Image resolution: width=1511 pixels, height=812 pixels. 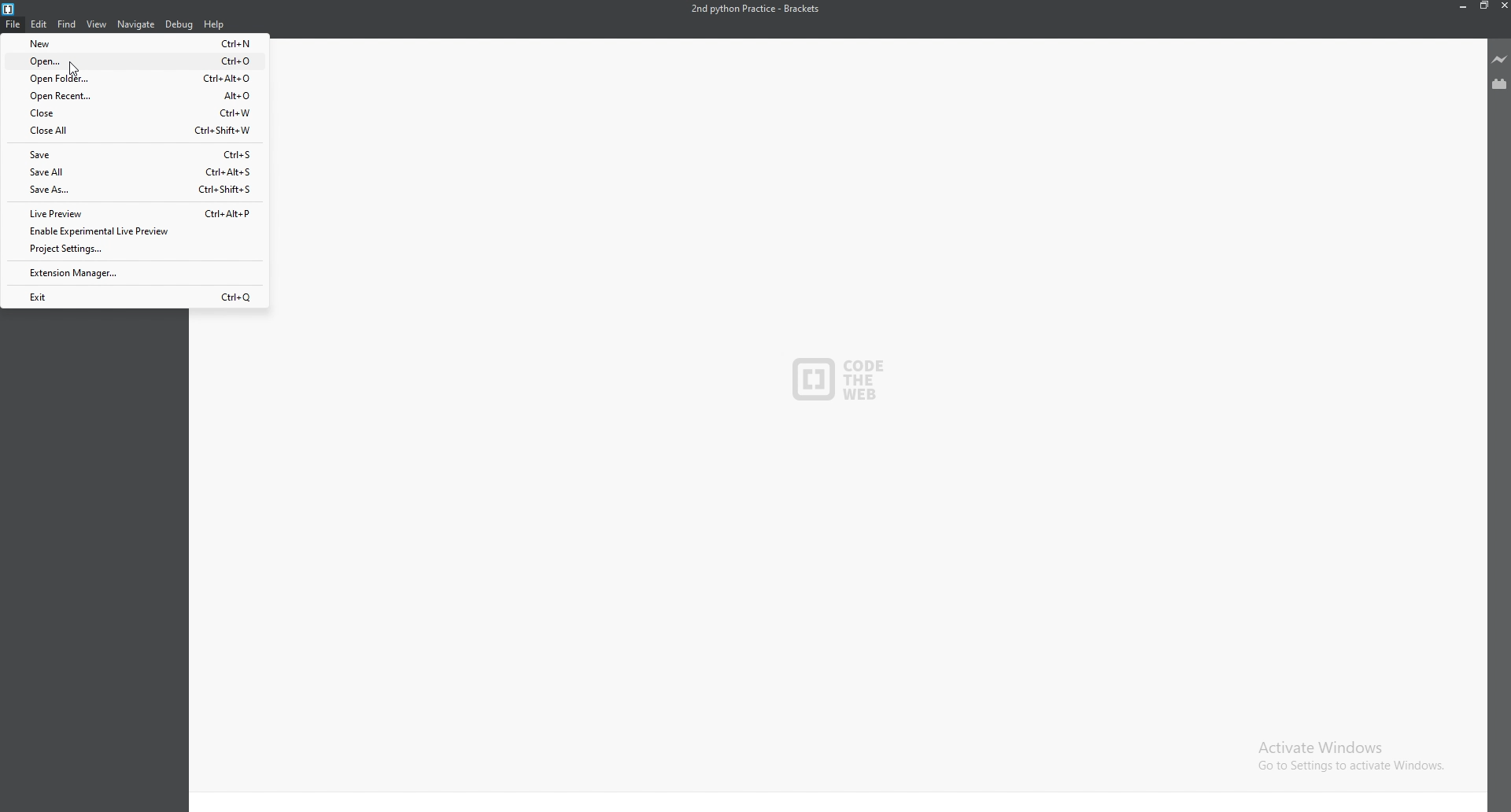 What do you see at coordinates (135, 297) in the screenshot?
I see `exit` at bounding box center [135, 297].